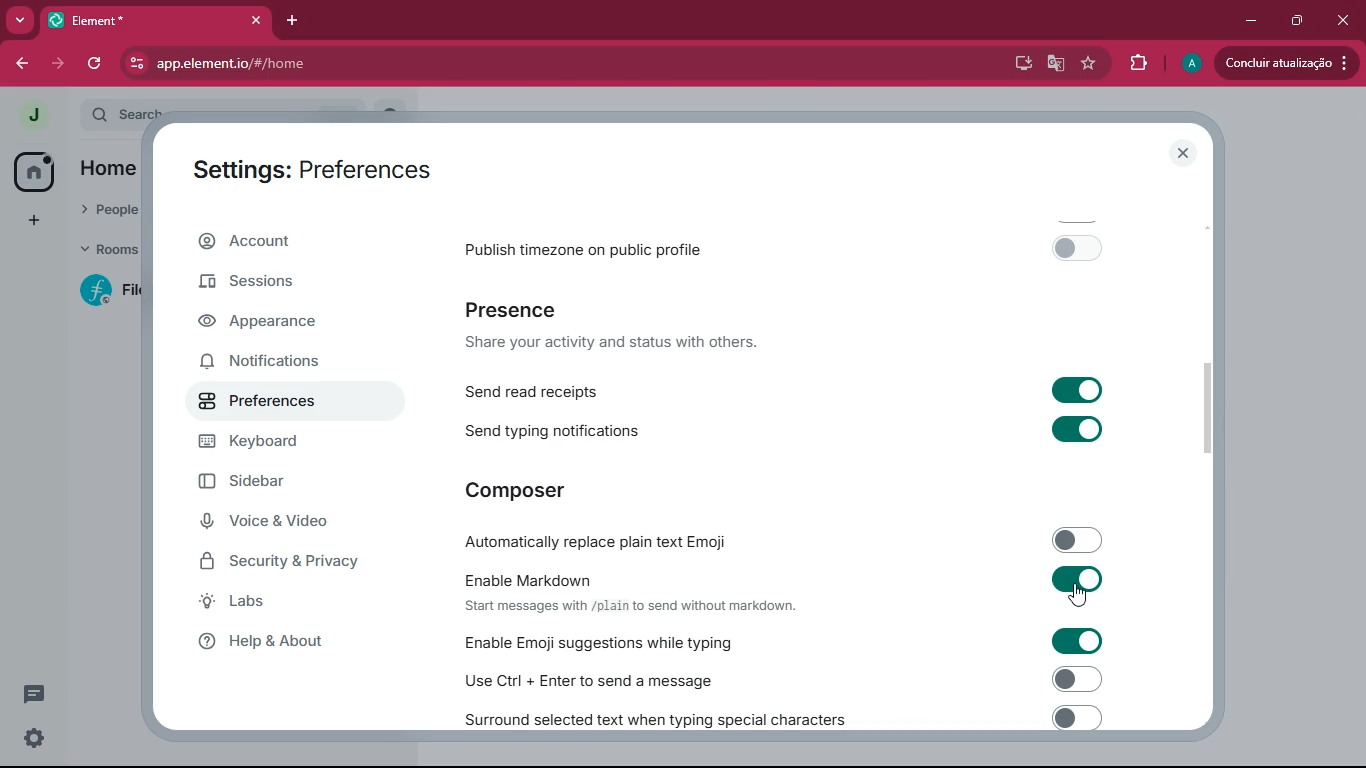  Describe the element at coordinates (18, 64) in the screenshot. I see `back` at that location.